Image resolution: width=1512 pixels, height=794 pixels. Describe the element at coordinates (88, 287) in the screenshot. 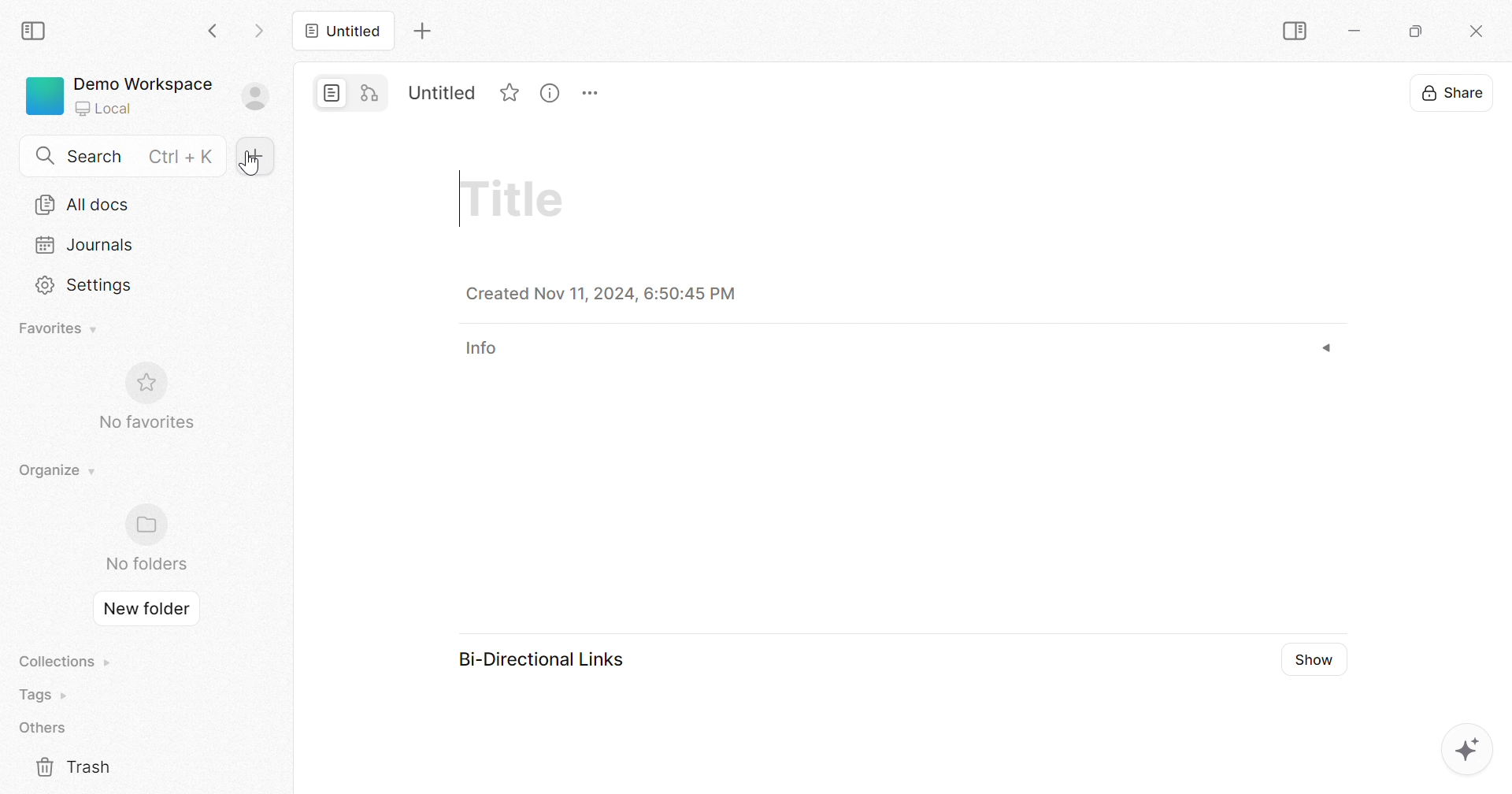

I see `Settings` at that location.